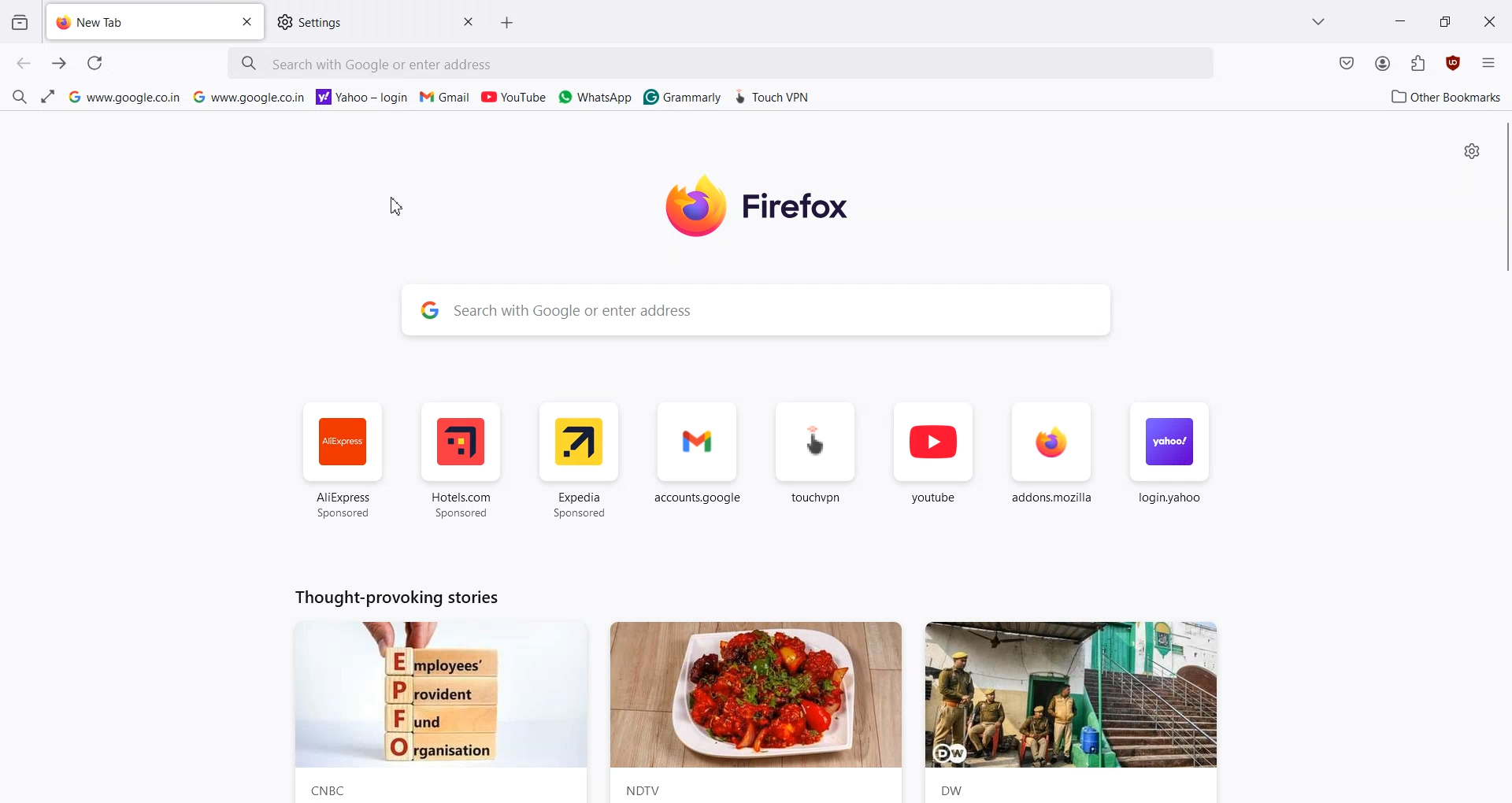 The height and width of the screenshot is (803, 1512). Describe the element at coordinates (1400, 20) in the screenshot. I see `Minimize` at that location.